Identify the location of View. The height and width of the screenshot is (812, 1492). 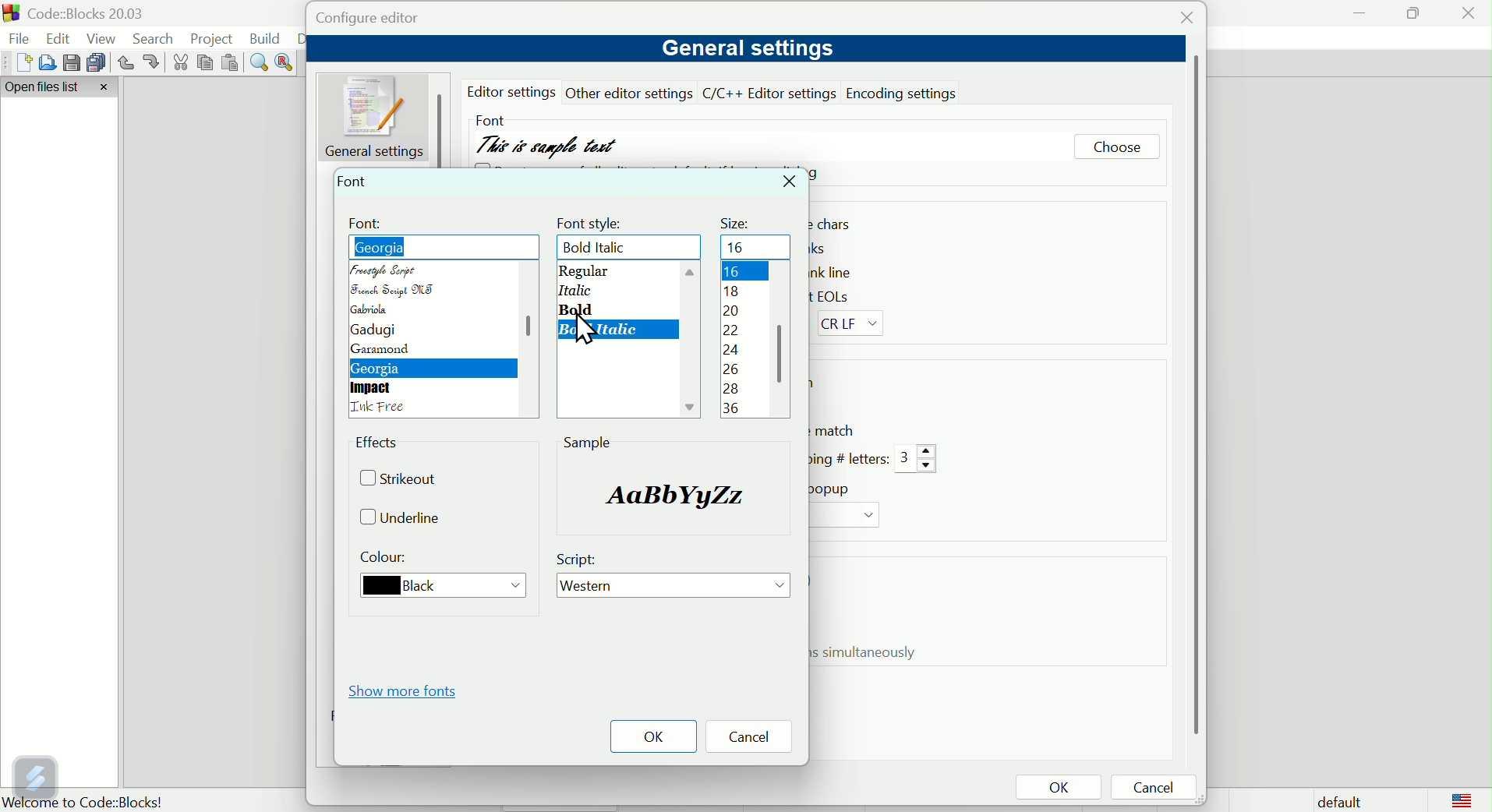
(104, 38).